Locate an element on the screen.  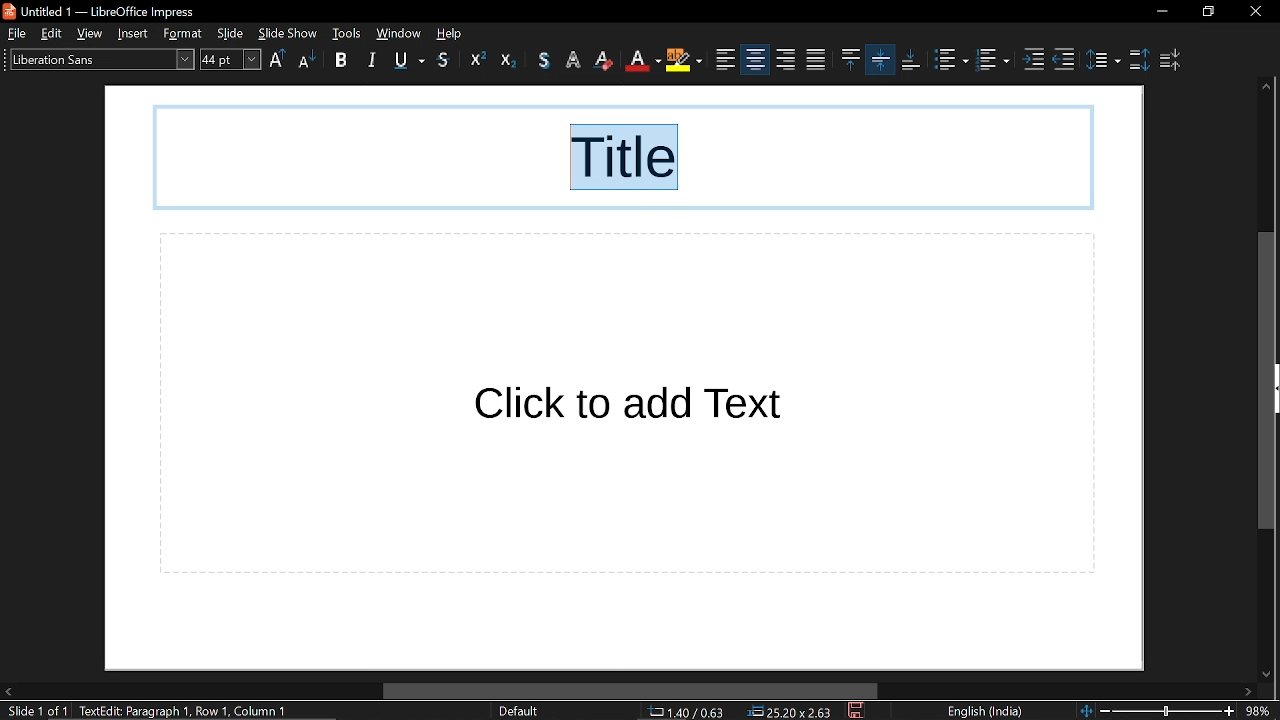
view is located at coordinates (94, 34).